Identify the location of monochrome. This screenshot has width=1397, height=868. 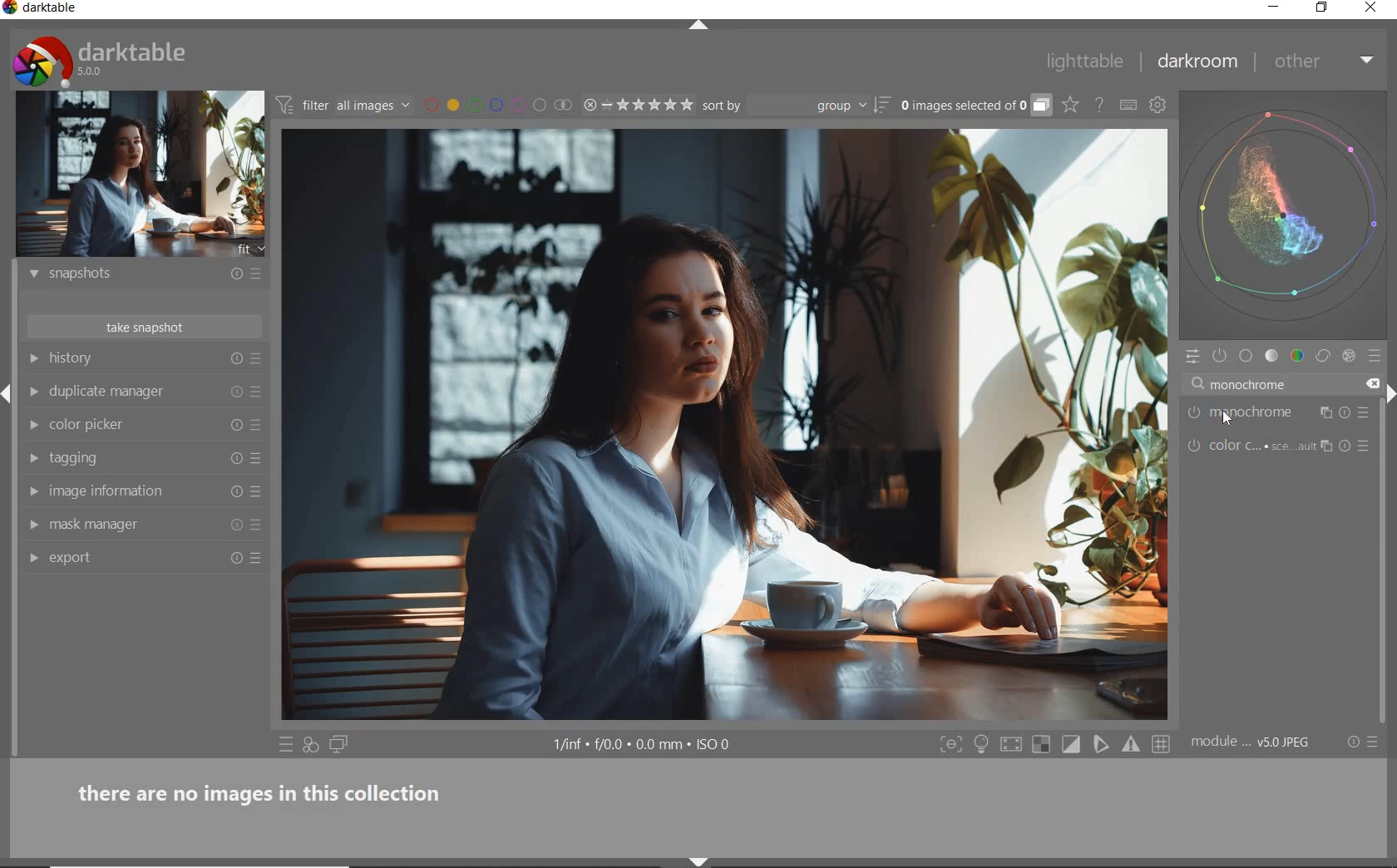
(1259, 412).